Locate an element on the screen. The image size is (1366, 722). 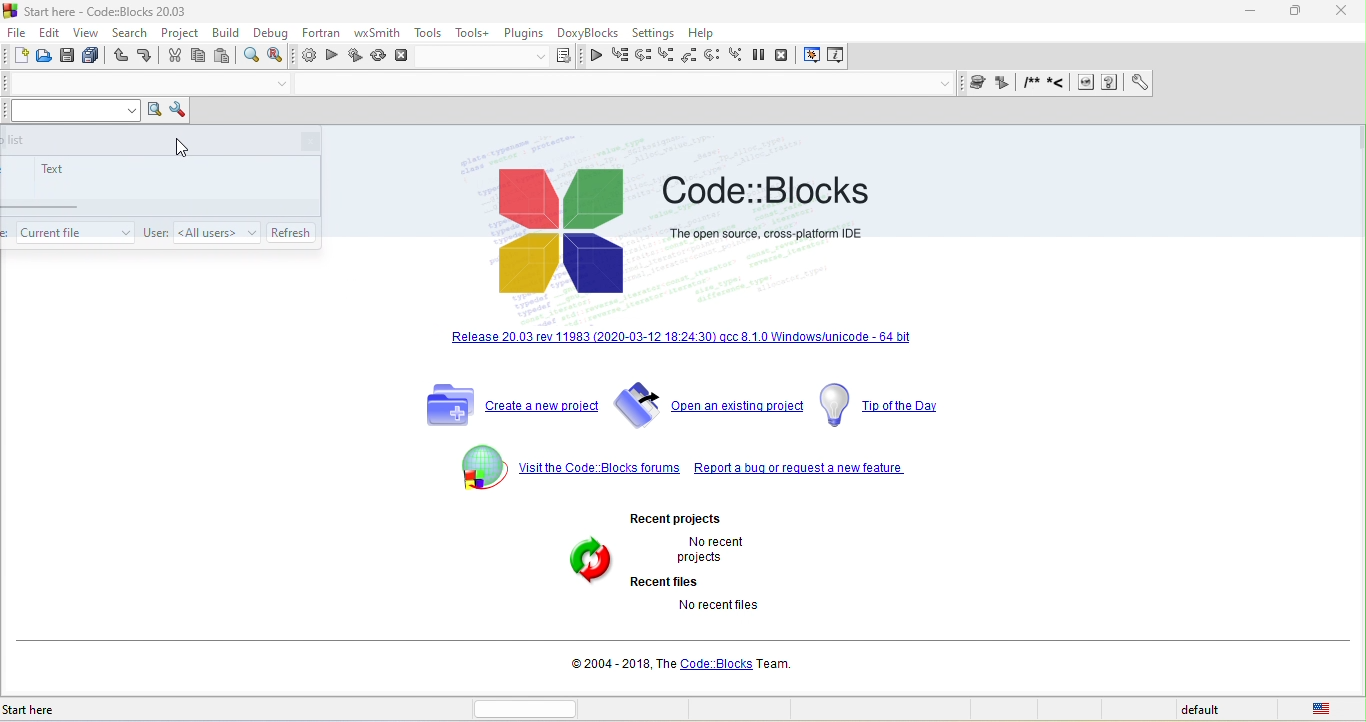
open tab is located at coordinates (131, 84).